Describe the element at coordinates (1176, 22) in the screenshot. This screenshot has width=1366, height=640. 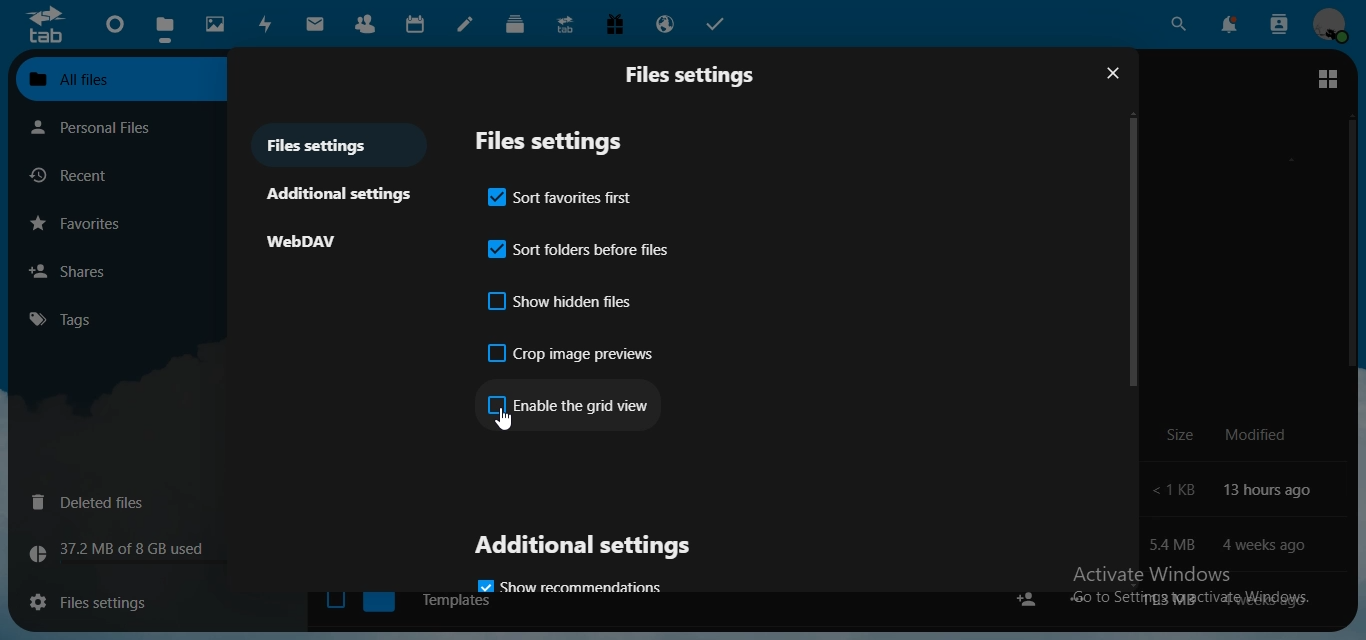
I see `search` at that location.